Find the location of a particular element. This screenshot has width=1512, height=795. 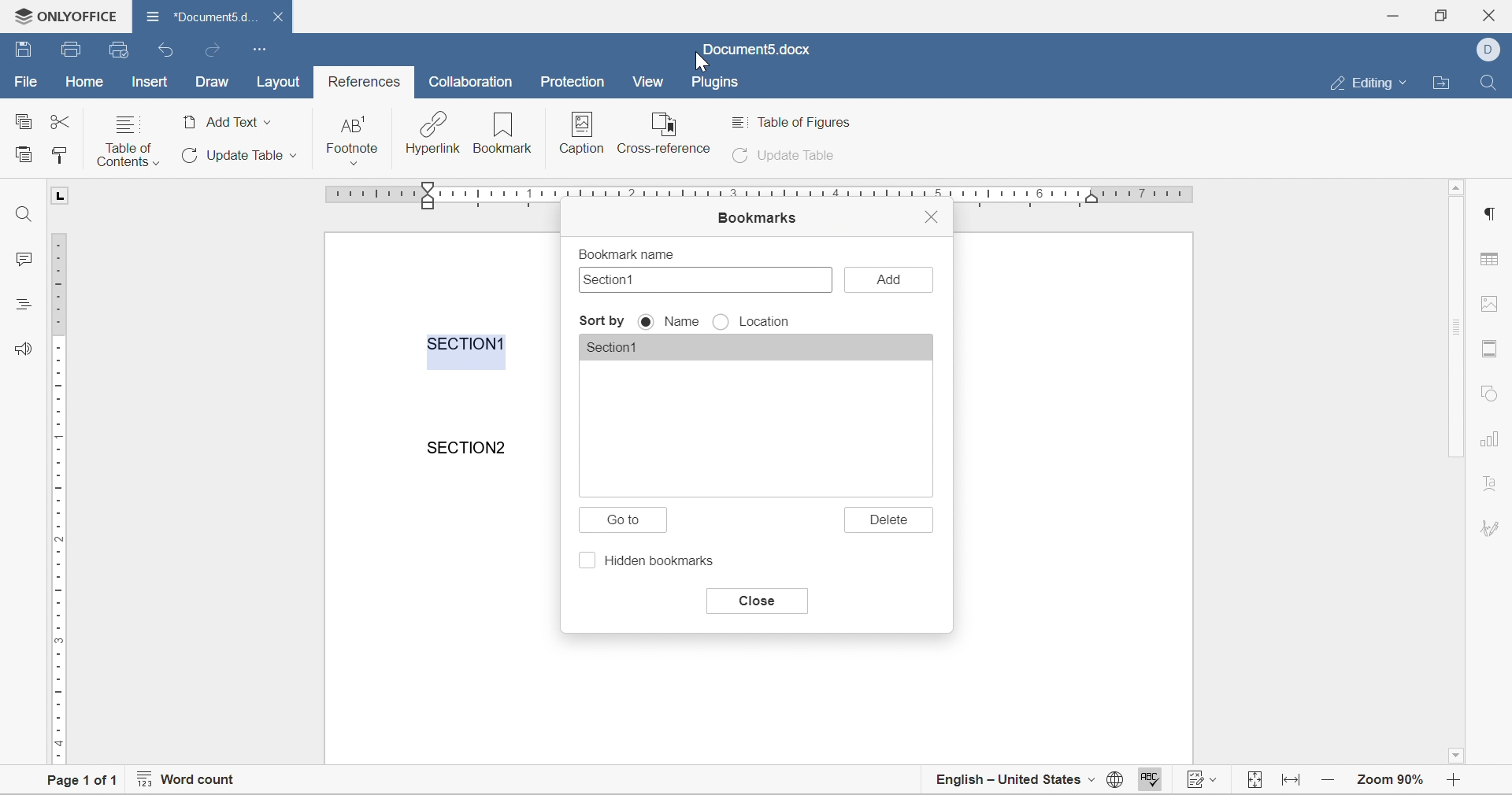

paste is located at coordinates (24, 153).